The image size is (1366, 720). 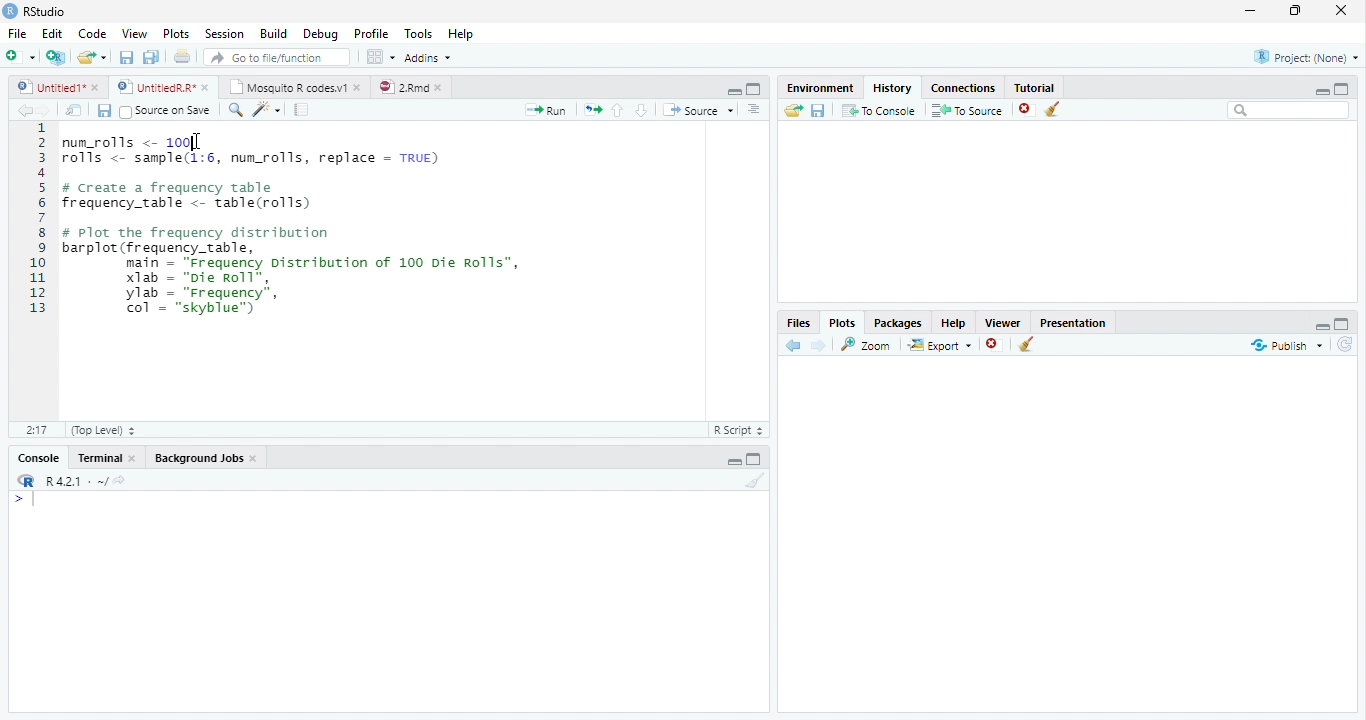 What do you see at coordinates (995, 346) in the screenshot?
I see `Remove Selected` at bounding box center [995, 346].